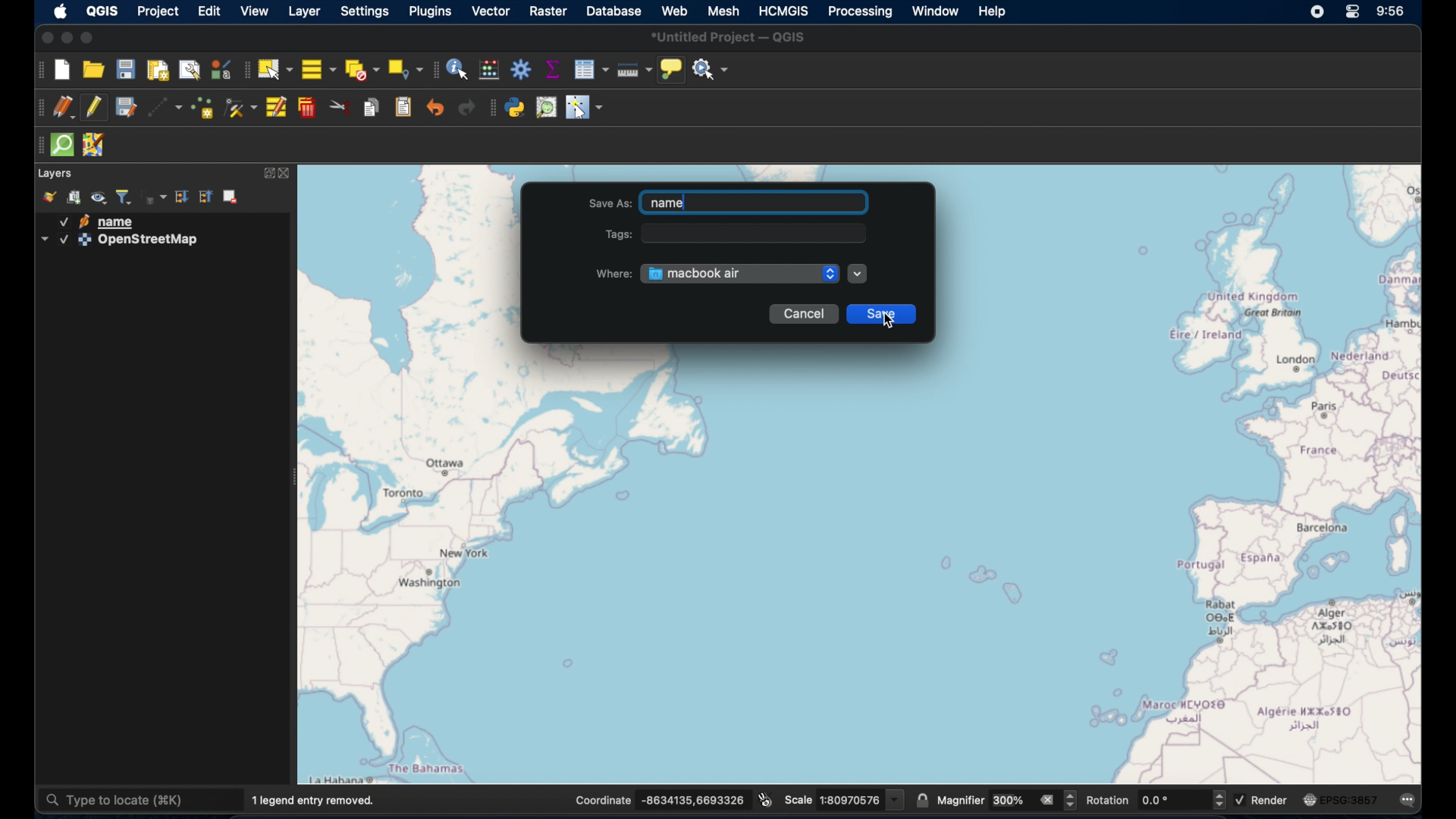  Describe the element at coordinates (206, 196) in the screenshot. I see `collapse all` at that location.